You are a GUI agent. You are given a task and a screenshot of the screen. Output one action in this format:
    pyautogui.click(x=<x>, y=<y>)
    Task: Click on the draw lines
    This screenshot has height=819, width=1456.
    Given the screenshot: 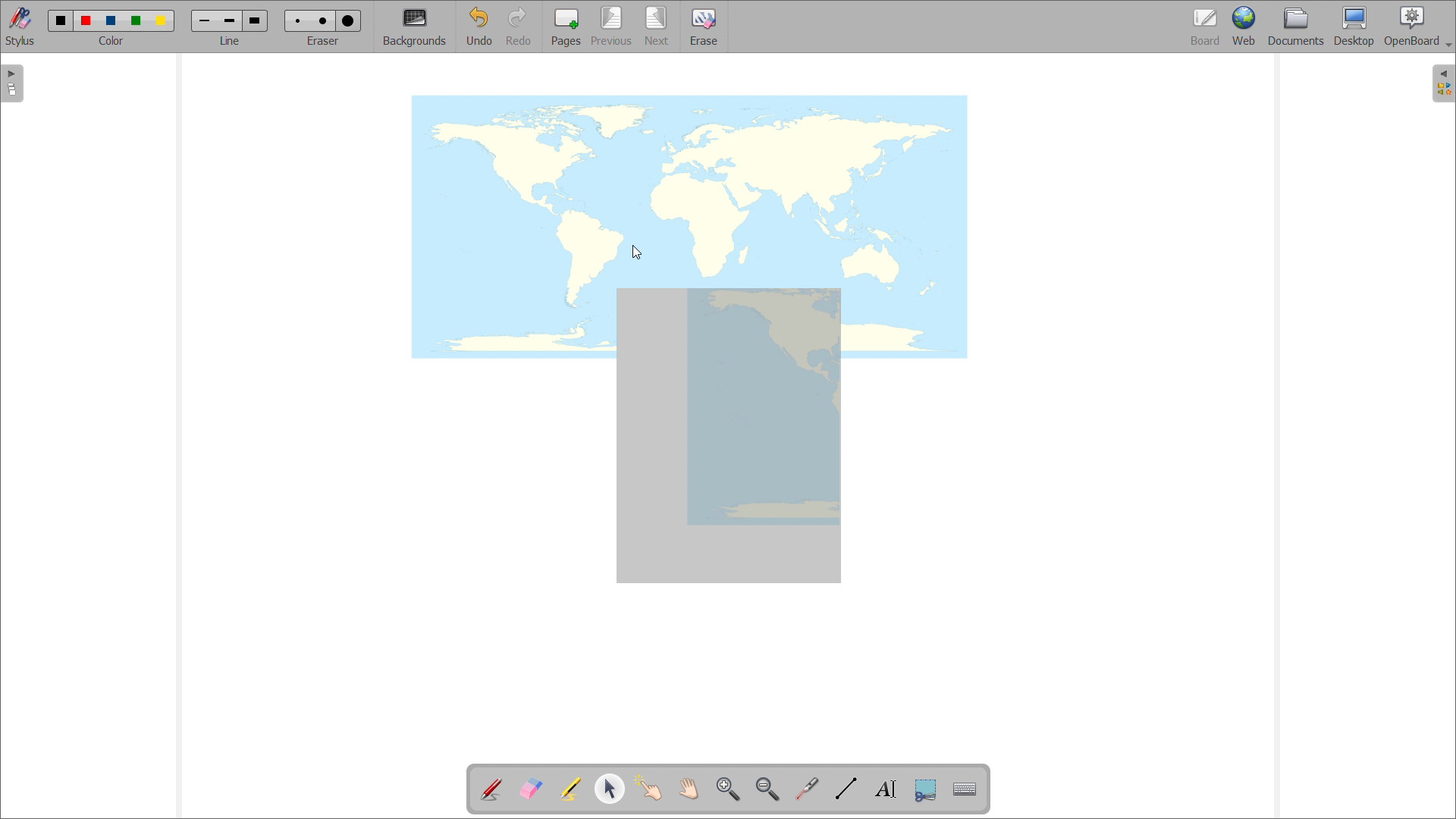 What is the action you would take?
    pyautogui.click(x=846, y=789)
    